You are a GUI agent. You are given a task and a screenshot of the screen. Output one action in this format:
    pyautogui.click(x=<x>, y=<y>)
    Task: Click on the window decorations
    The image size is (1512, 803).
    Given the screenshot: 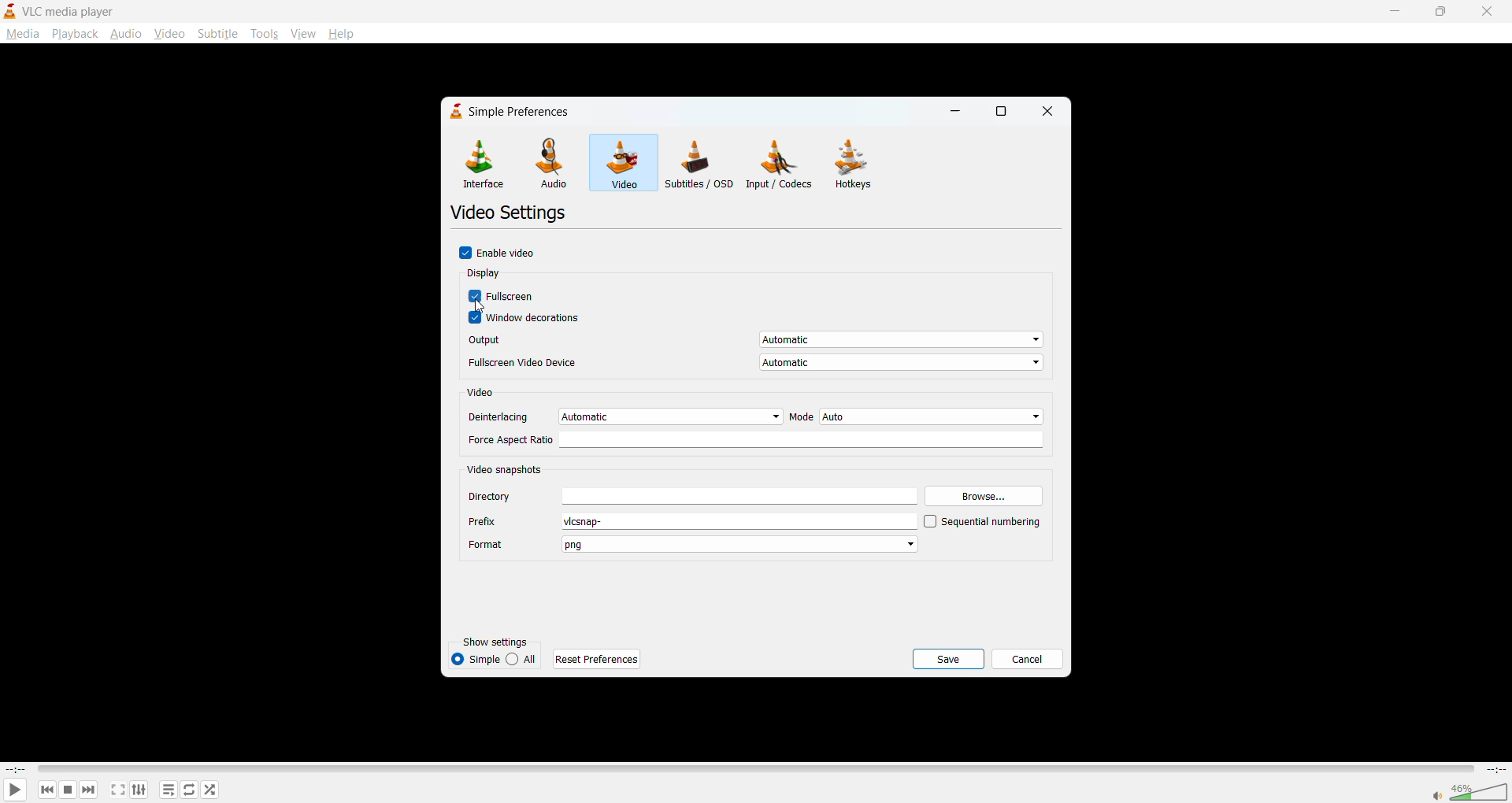 What is the action you would take?
    pyautogui.click(x=528, y=319)
    